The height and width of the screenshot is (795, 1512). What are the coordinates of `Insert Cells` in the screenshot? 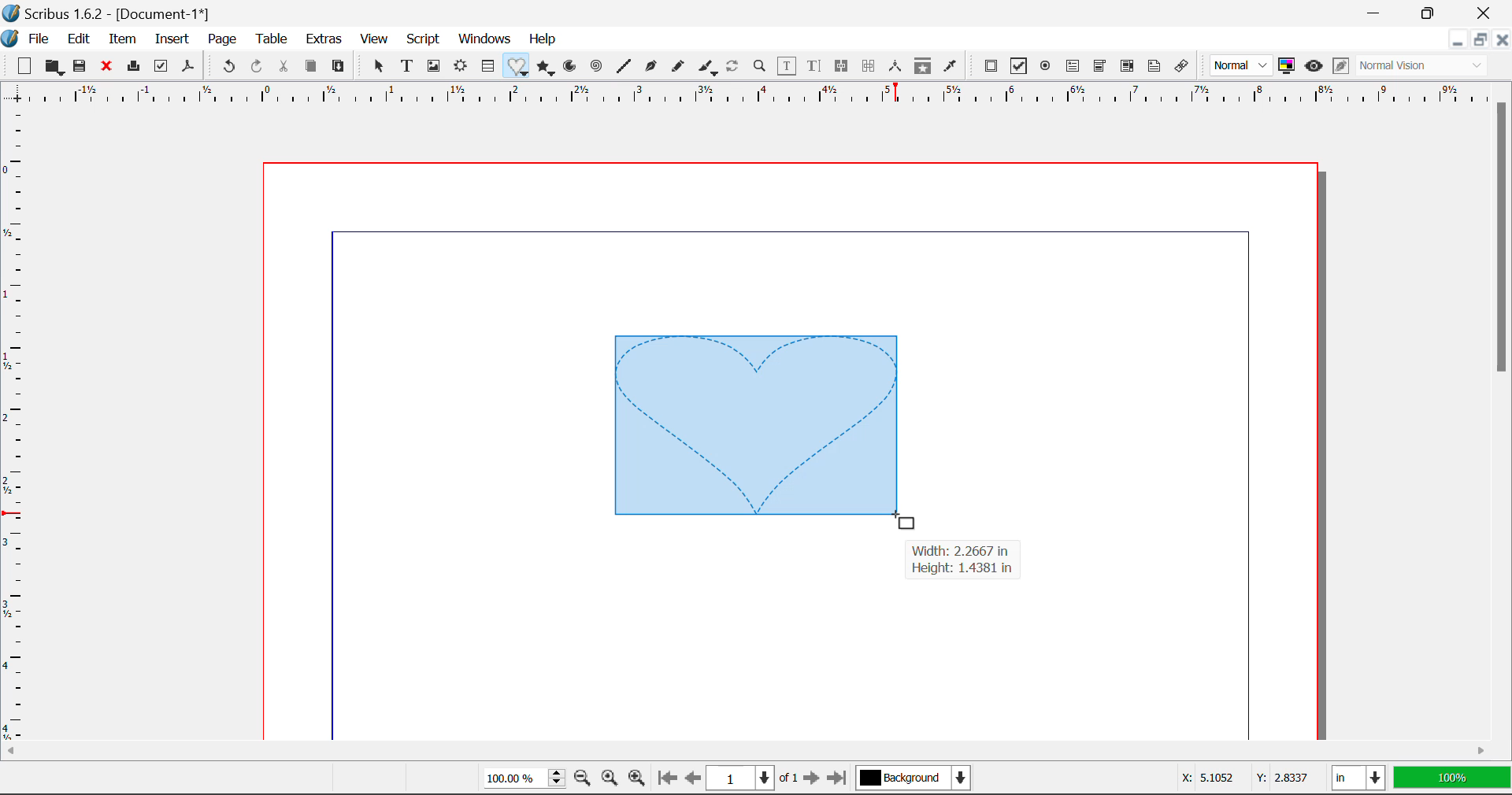 It's located at (487, 68).